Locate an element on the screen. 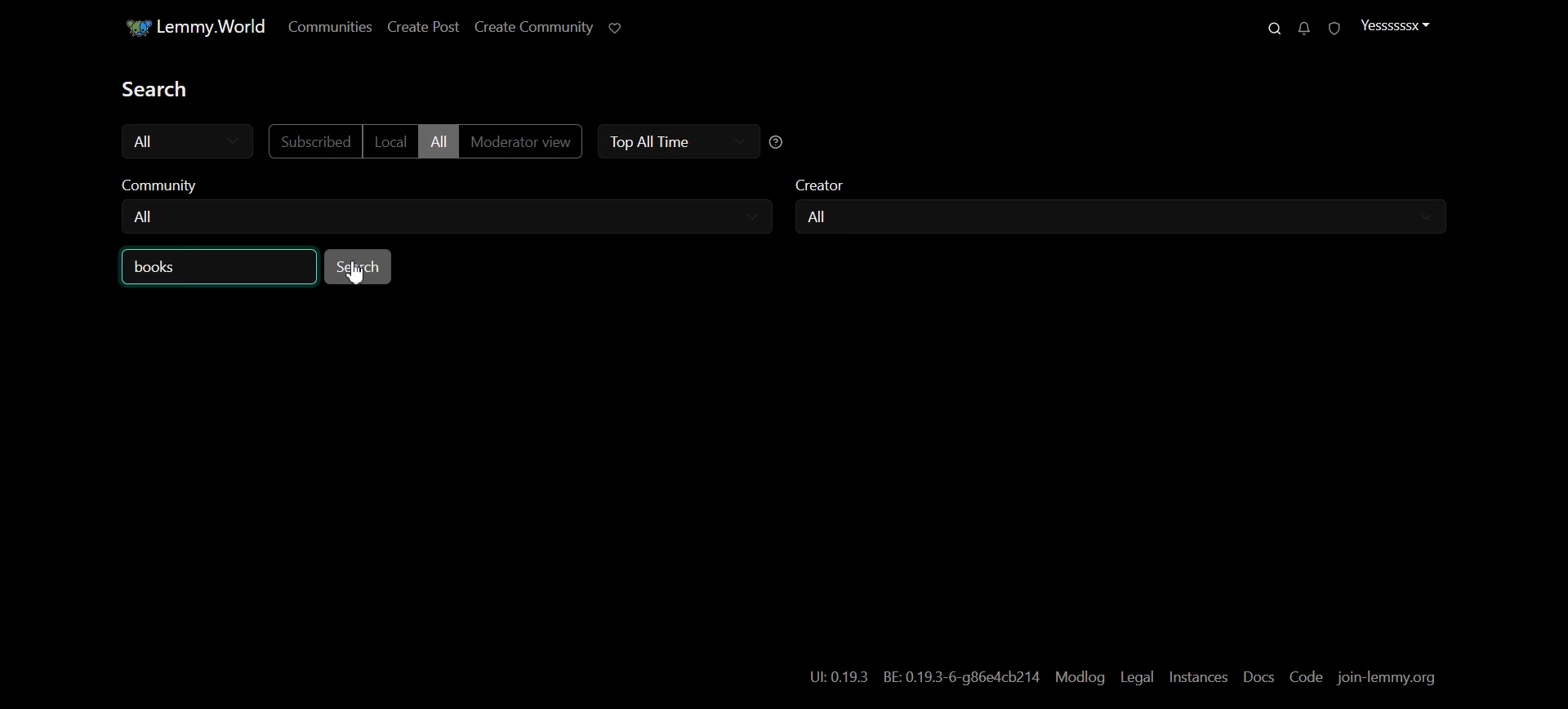 Image resolution: width=1568 pixels, height=709 pixels. Unread Reports is located at coordinates (1325, 28).